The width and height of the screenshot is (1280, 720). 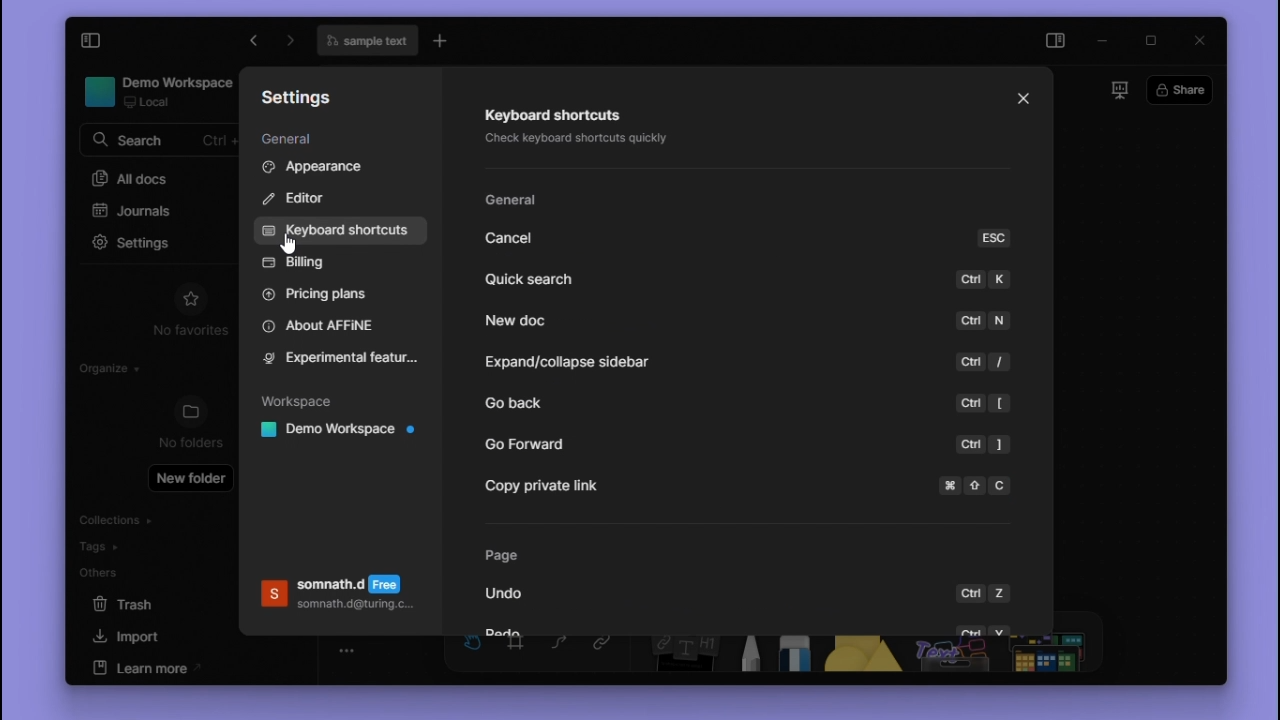 What do you see at coordinates (1150, 37) in the screenshot?
I see `maximize` at bounding box center [1150, 37].